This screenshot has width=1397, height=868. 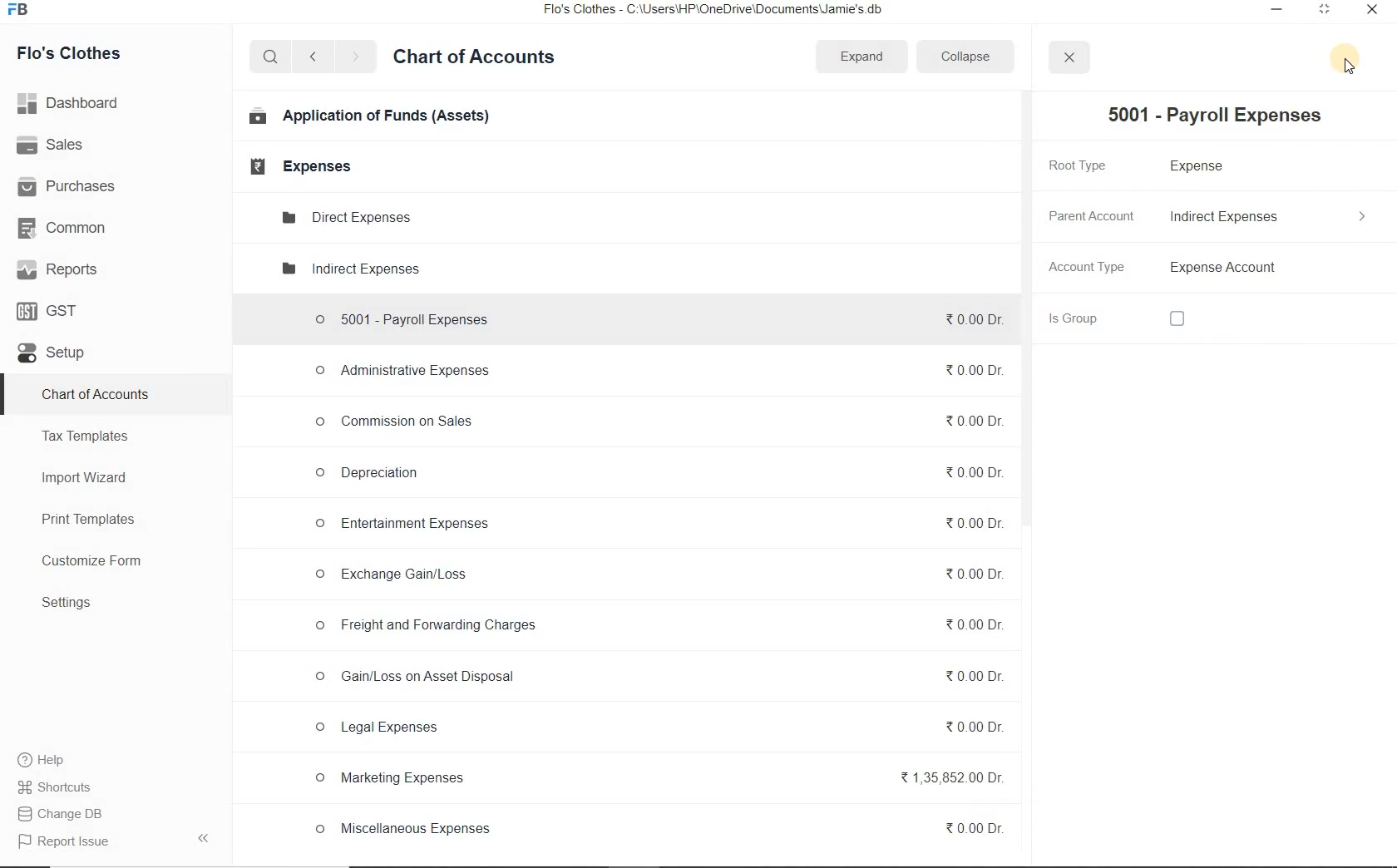 What do you see at coordinates (1208, 116) in the screenshot?
I see `5001 - Payroll Expenses` at bounding box center [1208, 116].